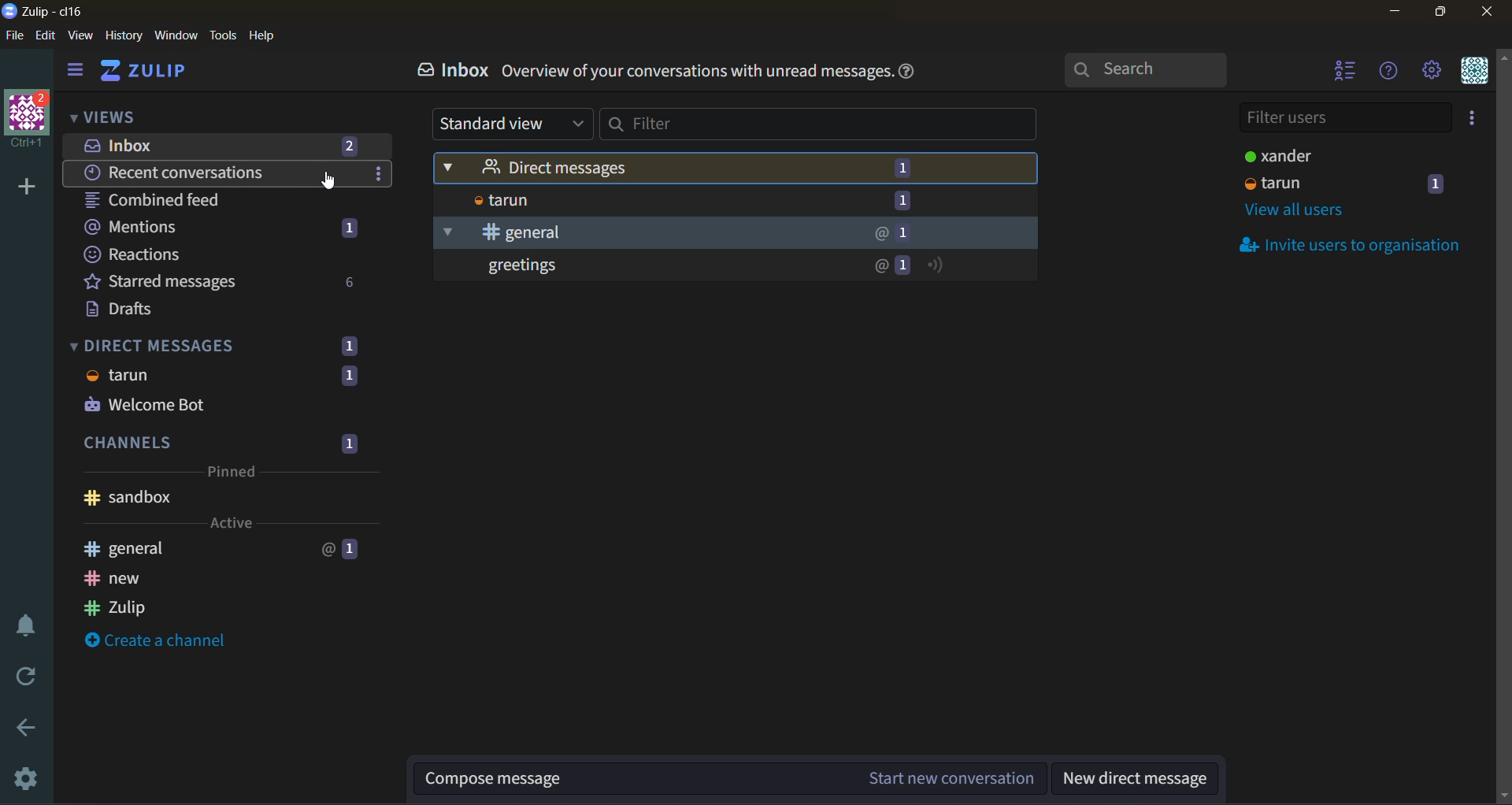 This screenshot has width=1512, height=805. What do you see at coordinates (23, 781) in the screenshot?
I see `settings` at bounding box center [23, 781].